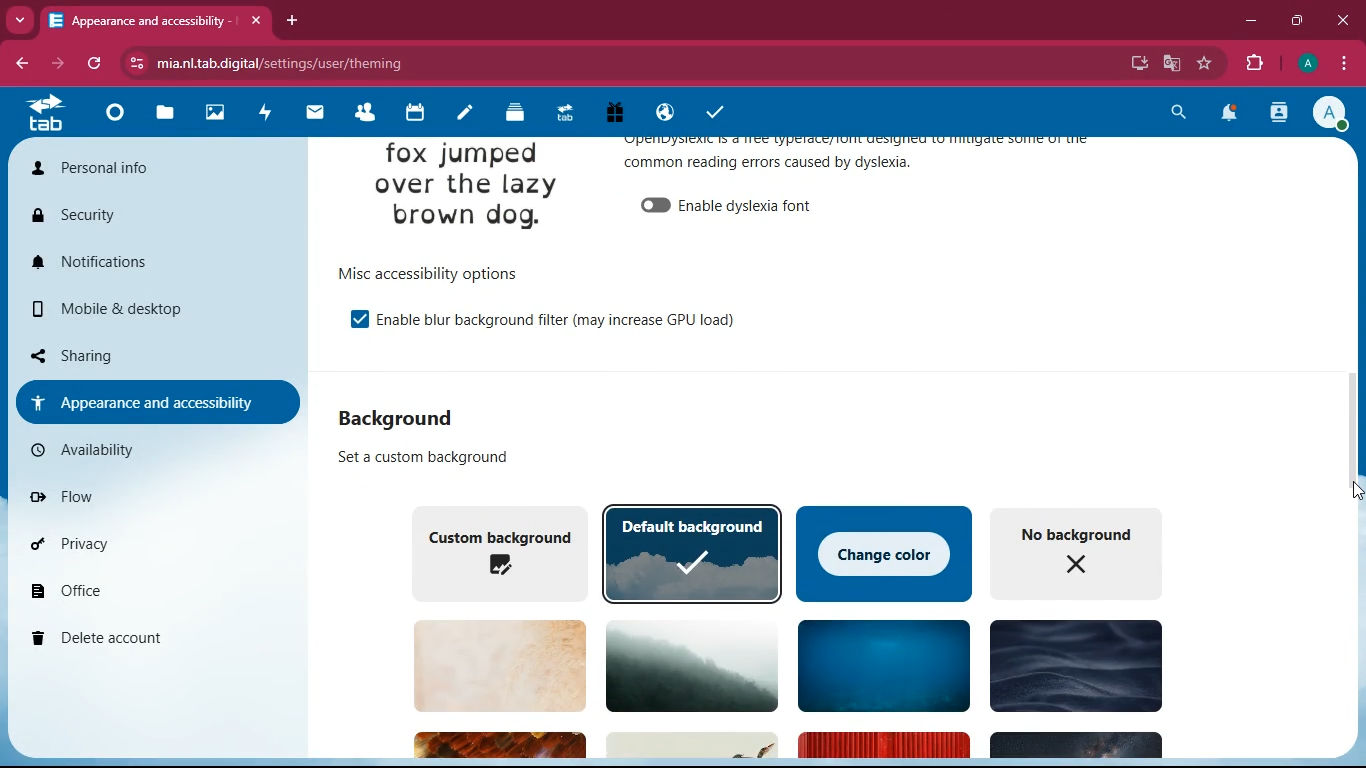 This screenshot has height=768, width=1366. I want to click on background, so click(406, 417).